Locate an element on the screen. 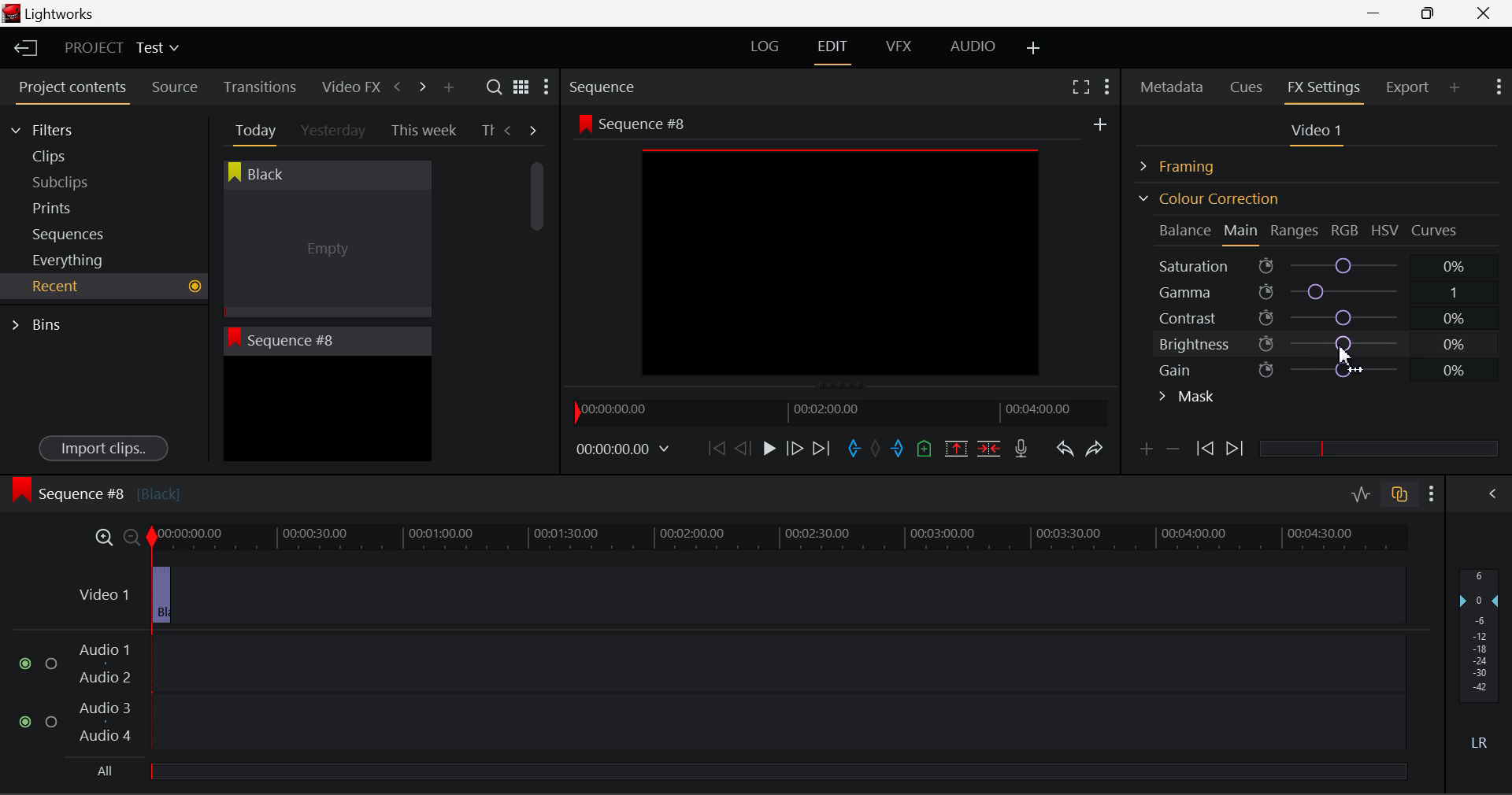  Minimize is located at coordinates (1432, 13).